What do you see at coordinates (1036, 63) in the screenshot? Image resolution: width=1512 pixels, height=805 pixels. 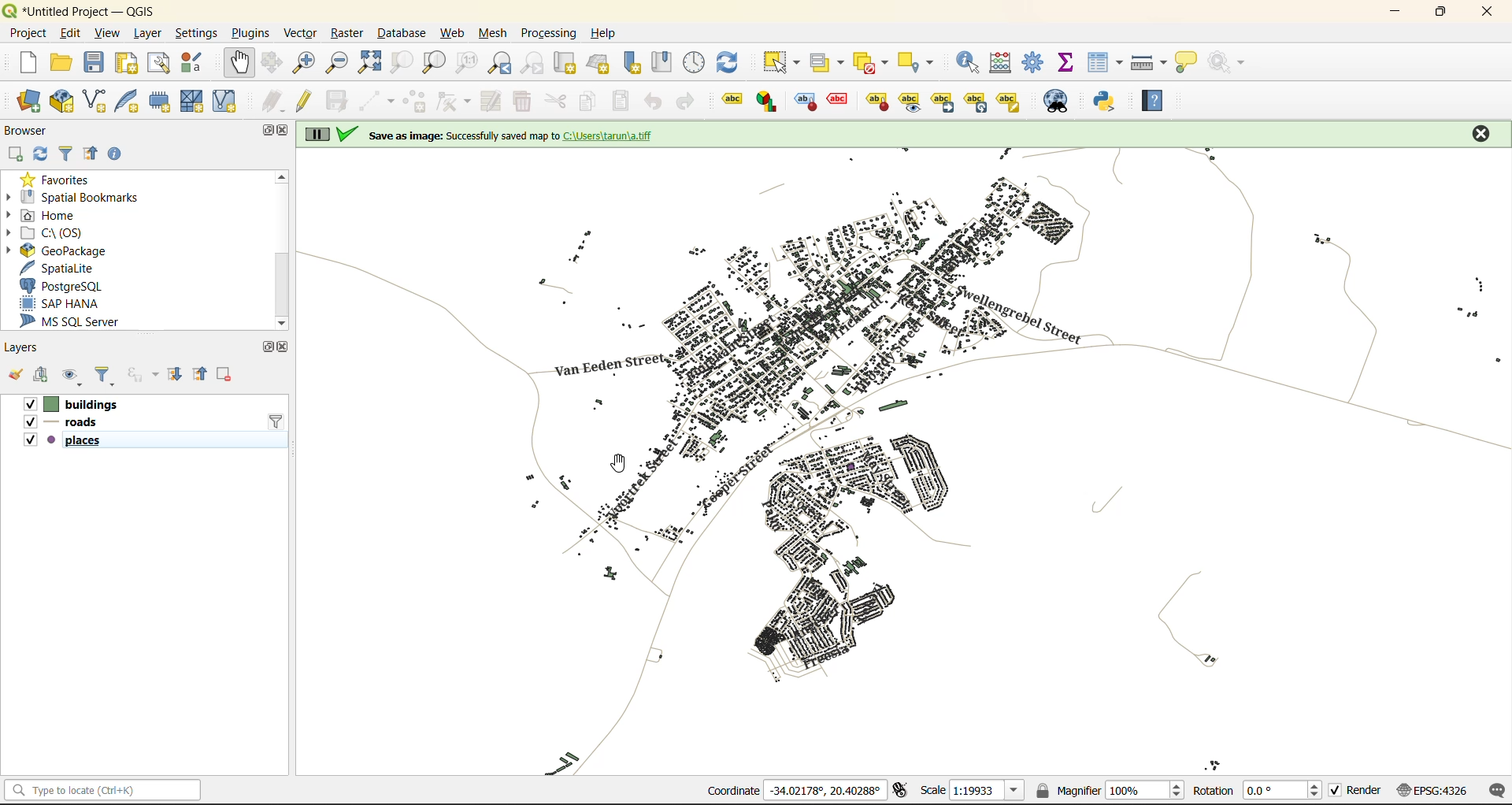 I see `toolbox` at bounding box center [1036, 63].